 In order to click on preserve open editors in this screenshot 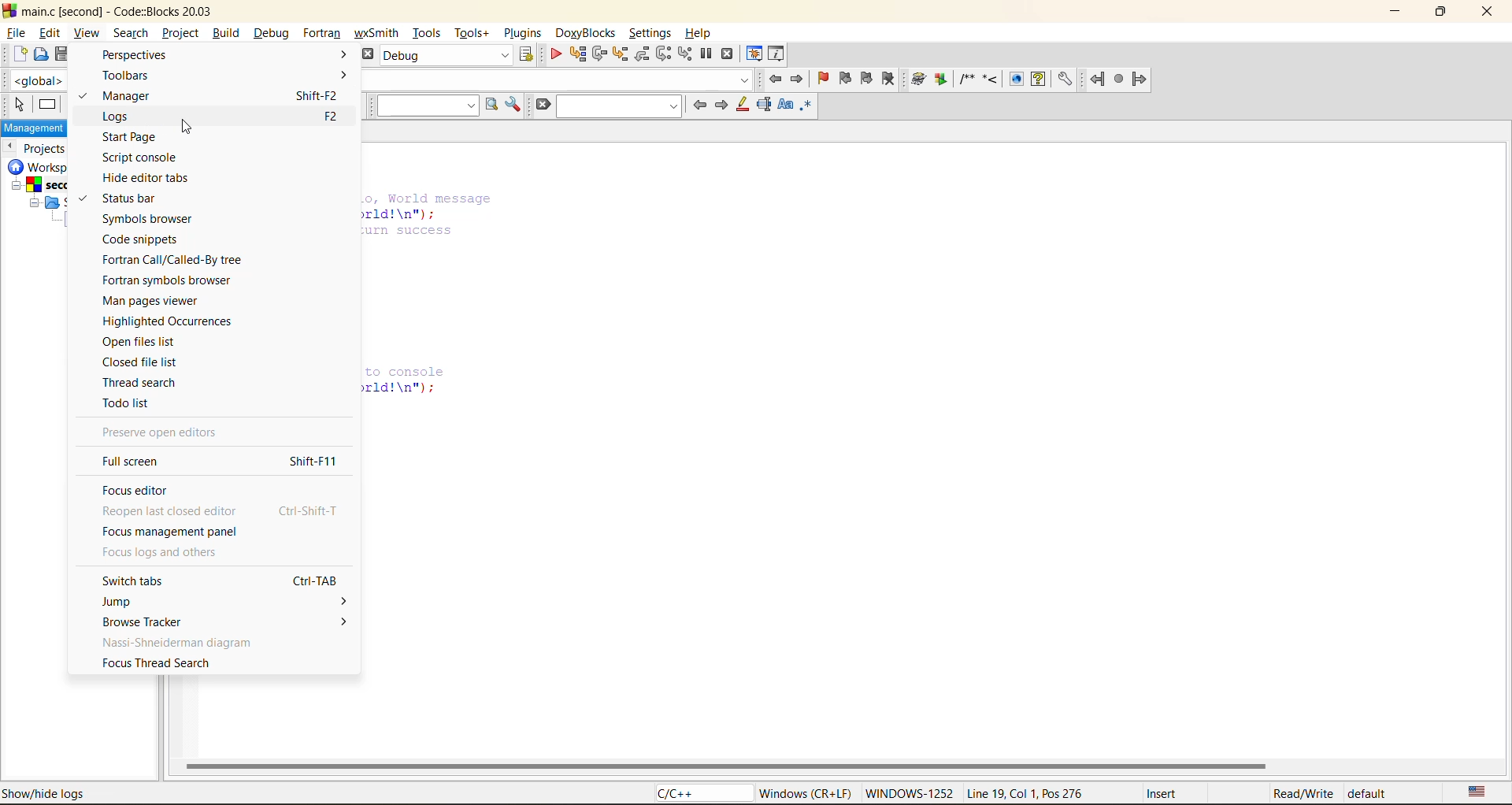, I will do `click(168, 433)`.